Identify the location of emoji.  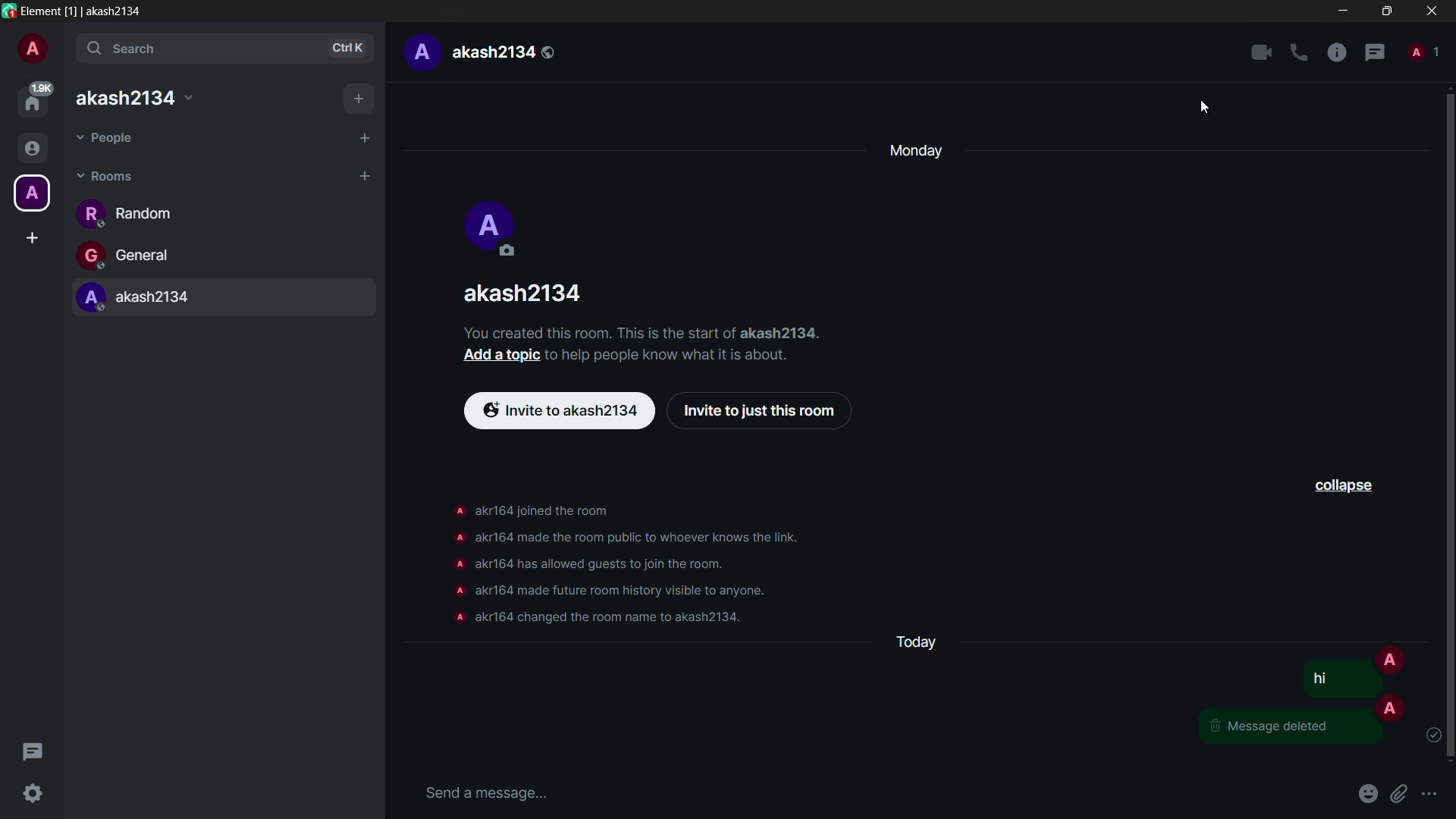
(1370, 792).